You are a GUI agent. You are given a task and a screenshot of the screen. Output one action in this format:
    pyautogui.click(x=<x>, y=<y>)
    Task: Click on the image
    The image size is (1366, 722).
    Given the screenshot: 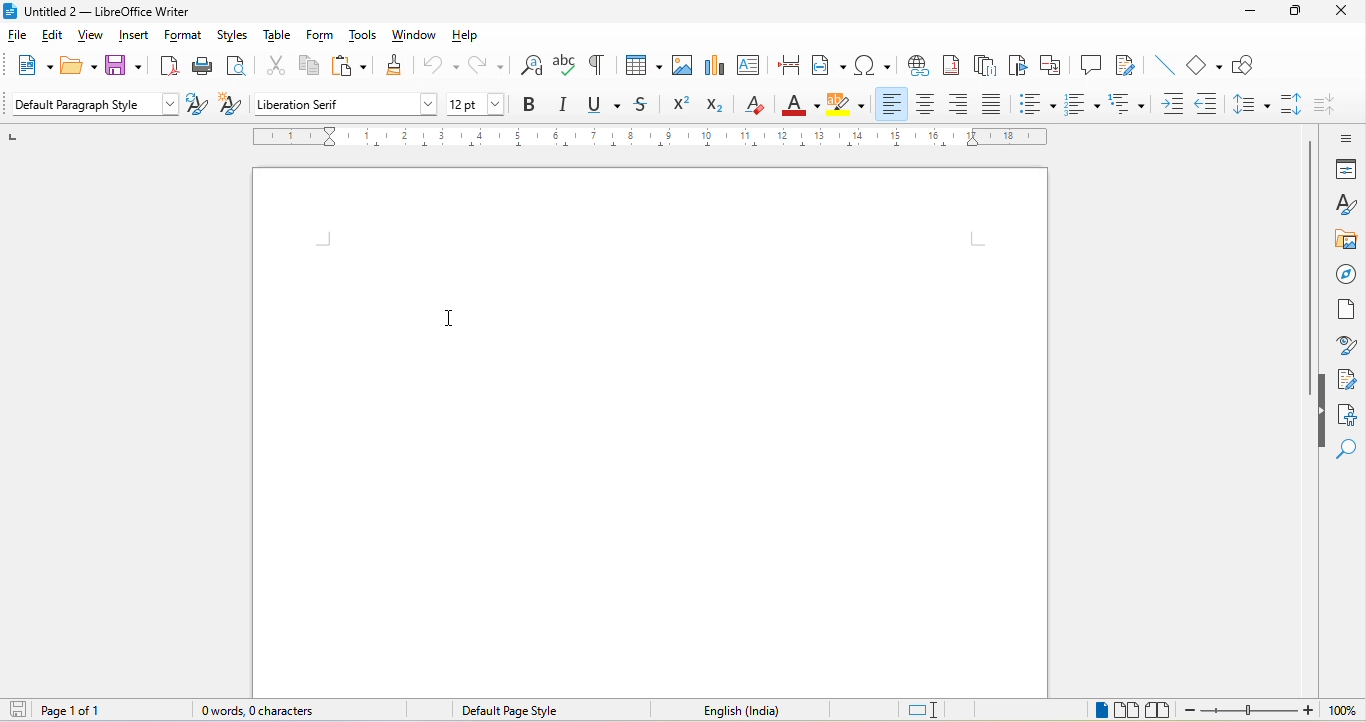 What is the action you would take?
    pyautogui.click(x=685, y=67)
    